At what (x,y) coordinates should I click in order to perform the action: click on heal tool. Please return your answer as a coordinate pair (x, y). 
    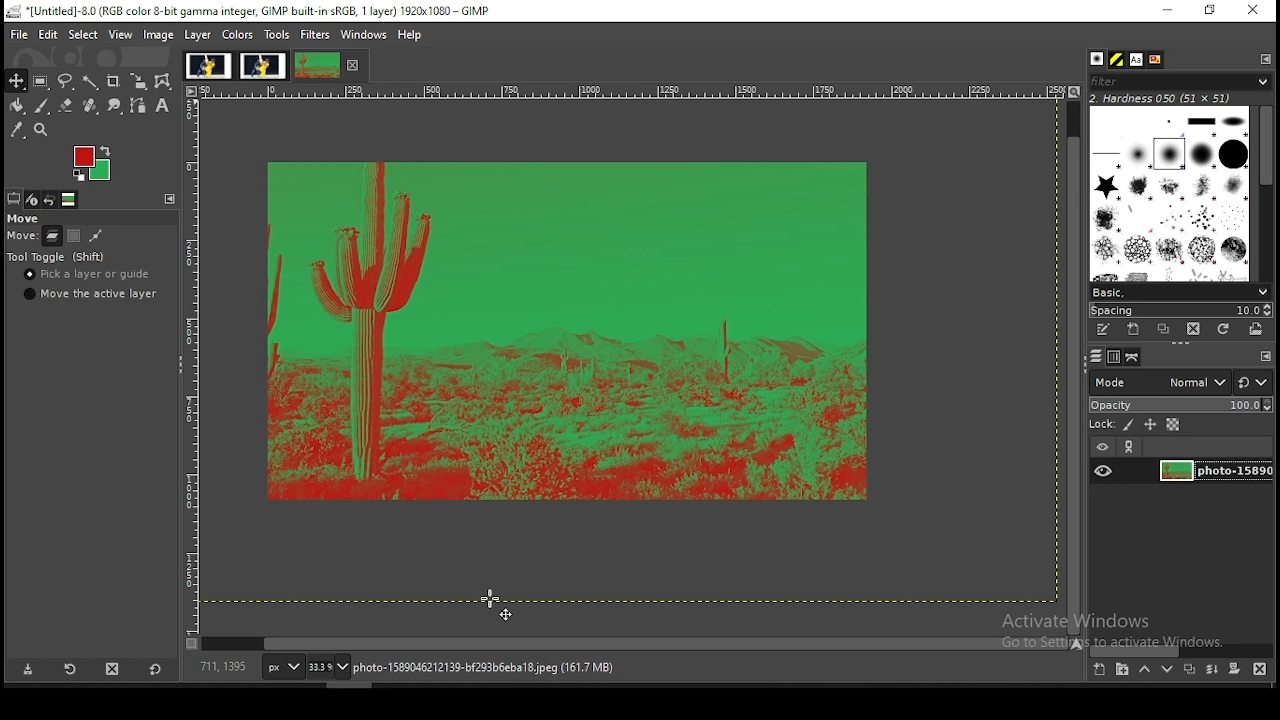
    Looking at the image, I should click on (93, 105).